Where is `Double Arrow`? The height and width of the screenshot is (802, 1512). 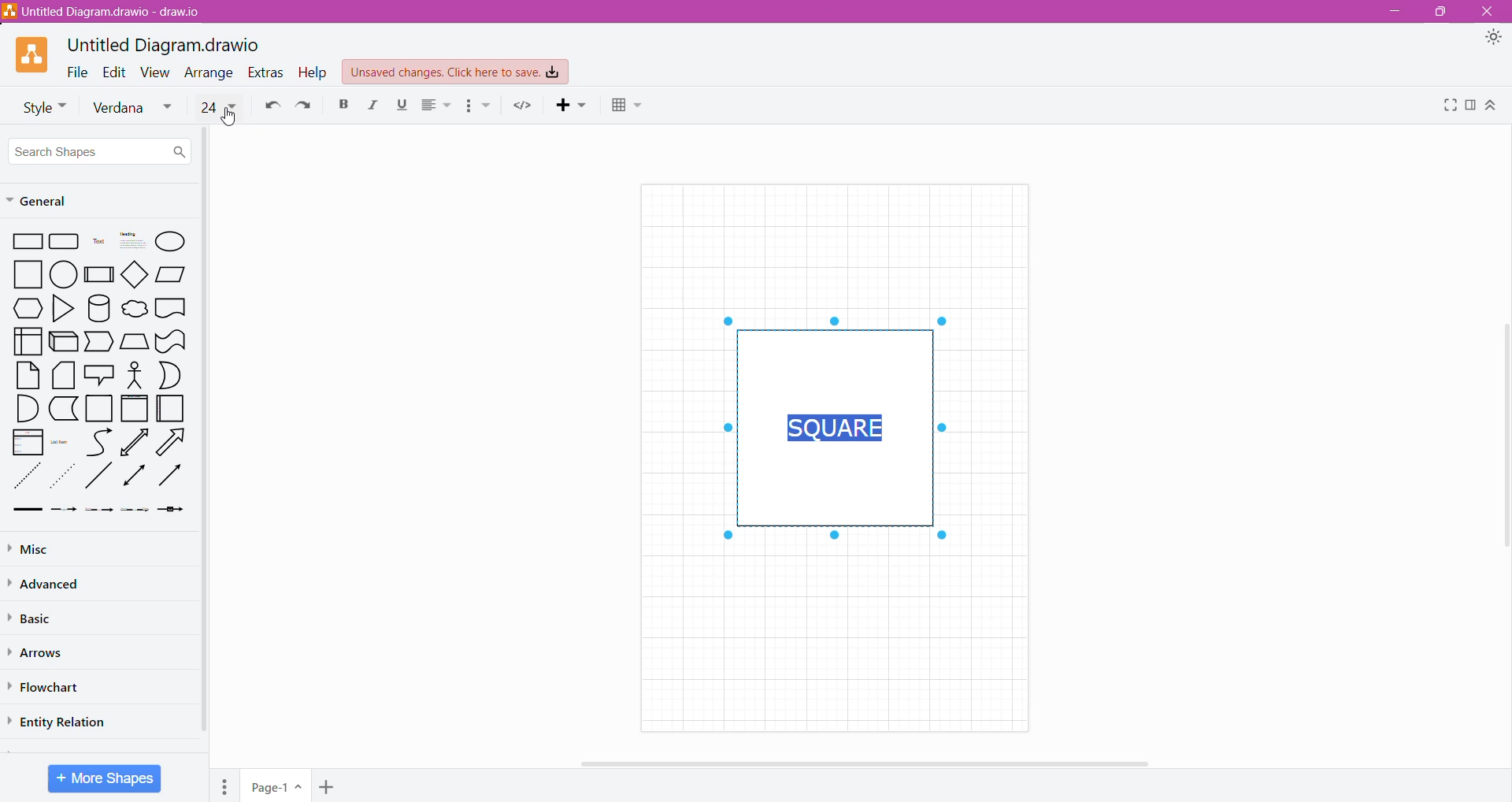
Double Arrow is located at coordinates (132, 477).